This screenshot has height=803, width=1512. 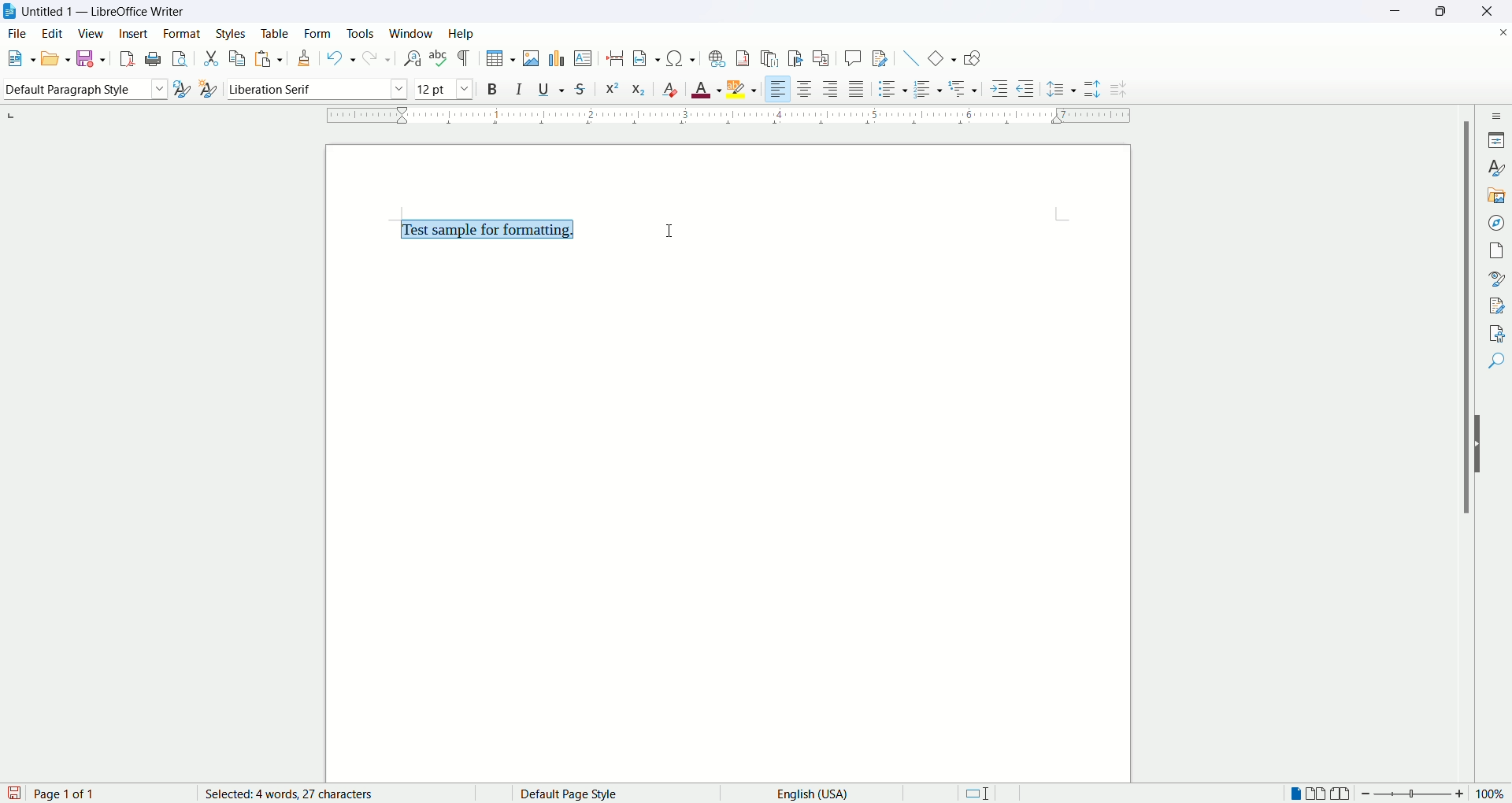 I want to click on insert bookmark, so click(x=795, y=59).